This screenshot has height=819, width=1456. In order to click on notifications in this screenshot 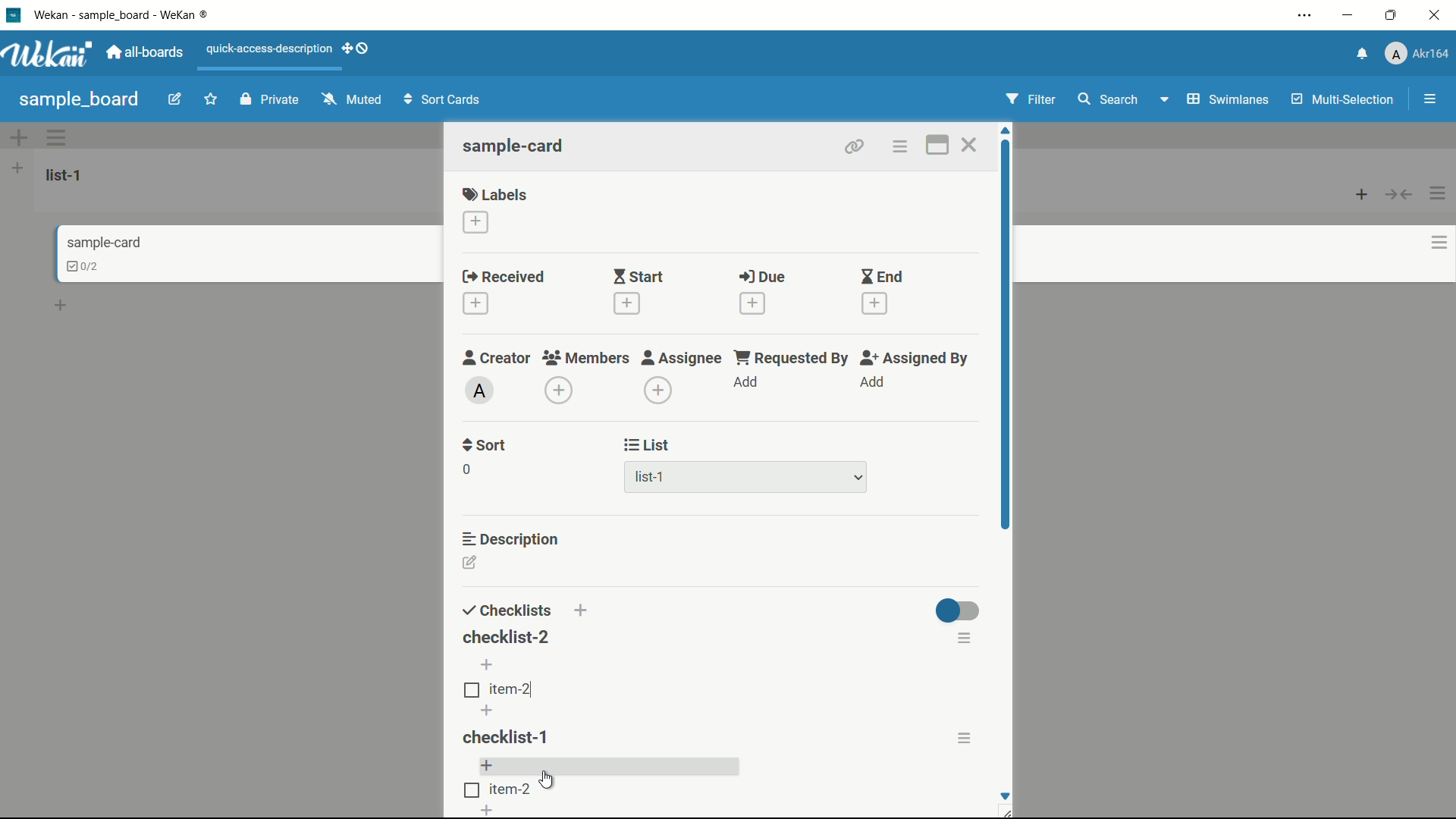, I will do `click(1360, 52)`.